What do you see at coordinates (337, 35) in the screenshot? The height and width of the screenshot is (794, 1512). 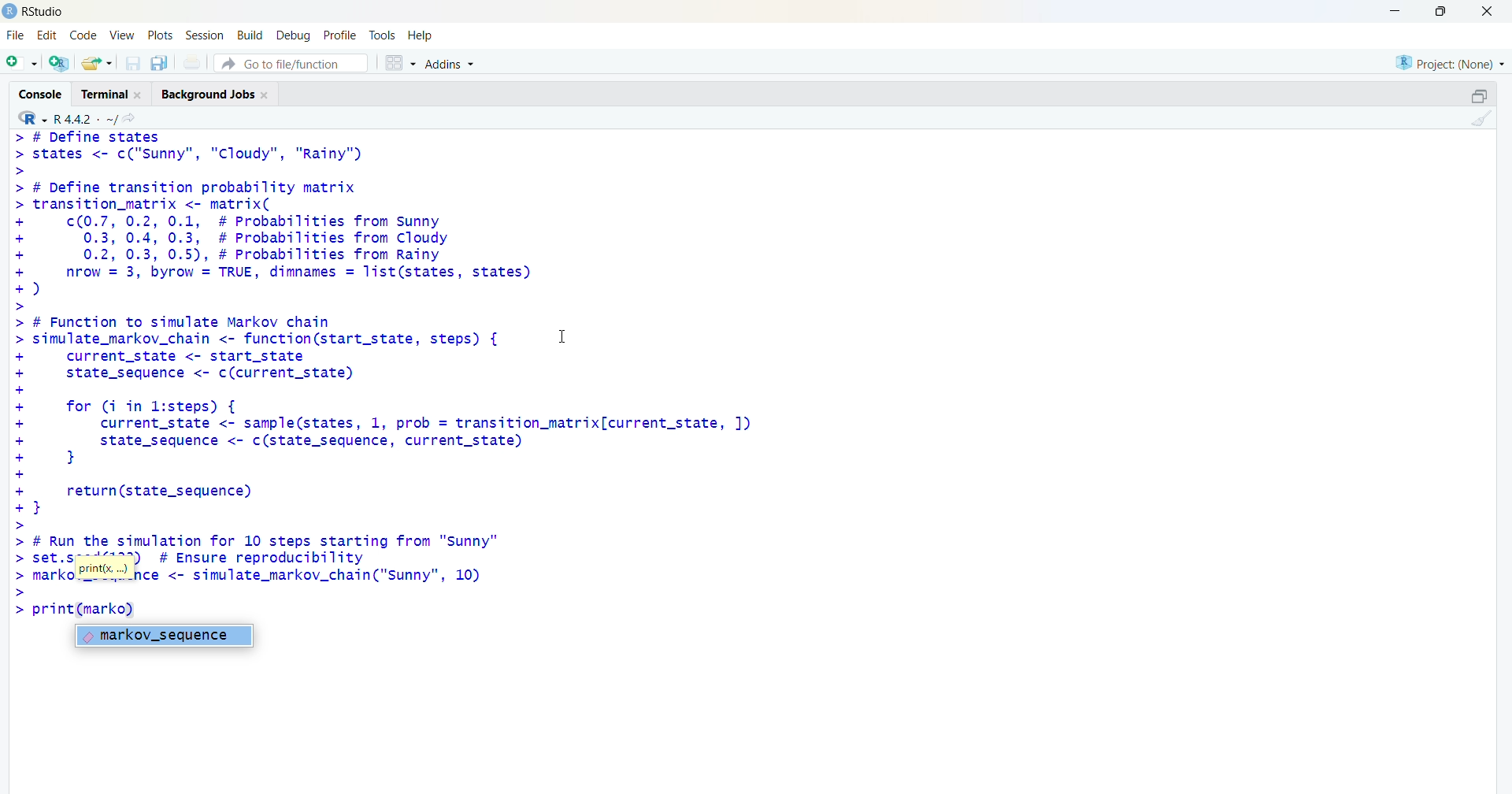 I see `profile` at bounding box center [337, 35].